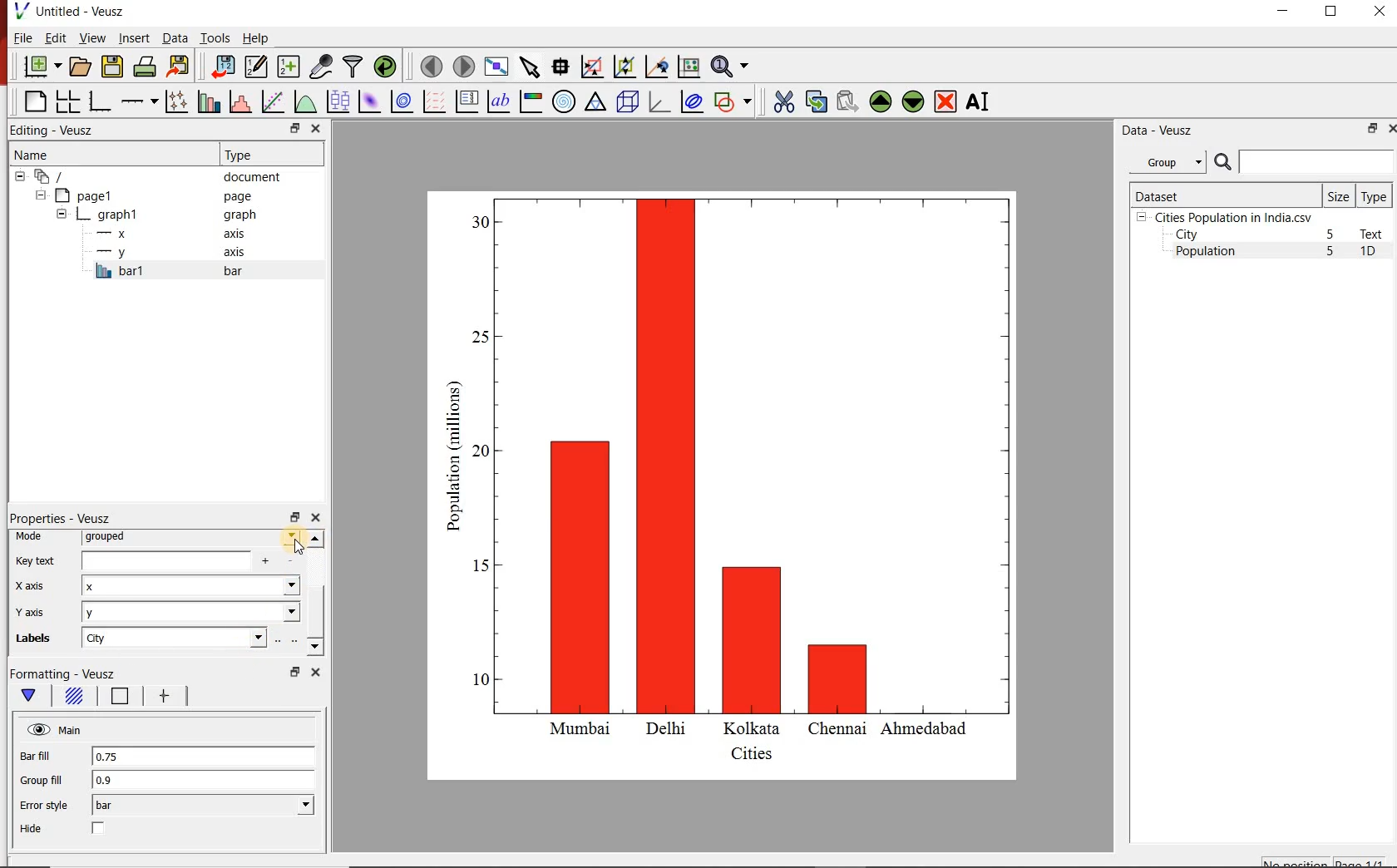  I want to click on search dataset, so click(1305, 162).